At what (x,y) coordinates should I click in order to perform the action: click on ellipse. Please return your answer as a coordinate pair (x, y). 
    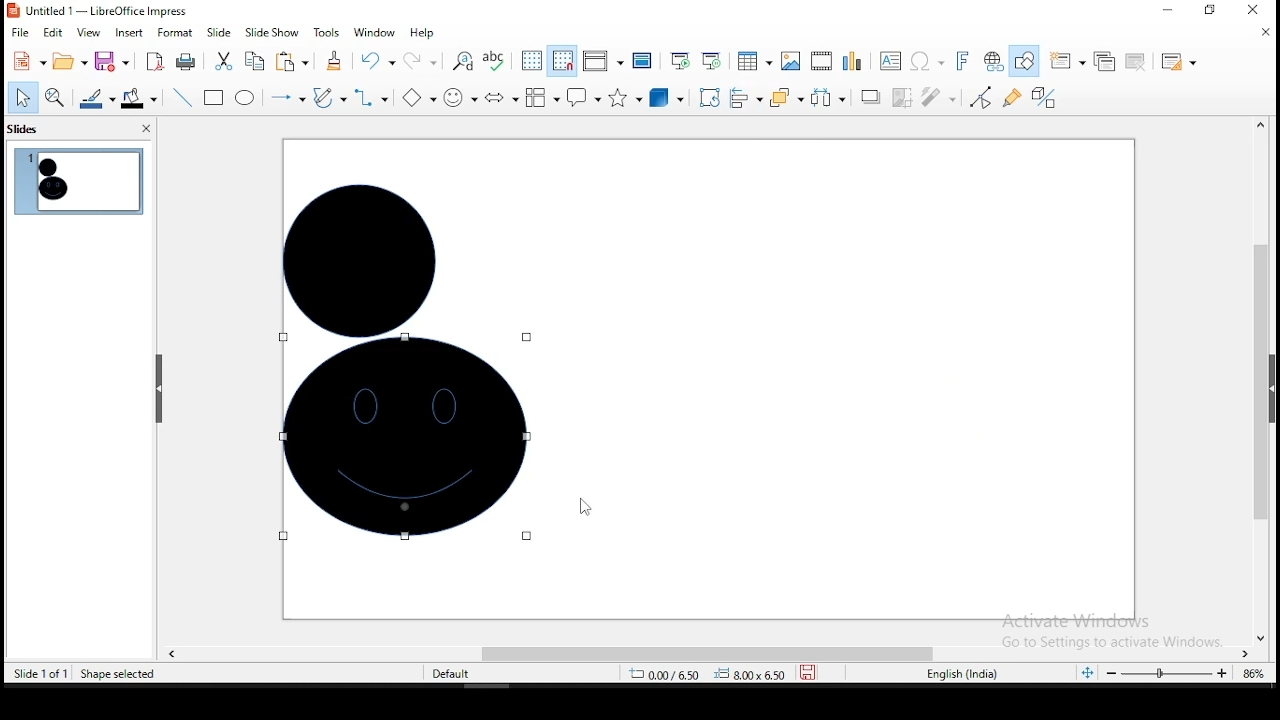
    Looking at the image, I should click on (244, 97).